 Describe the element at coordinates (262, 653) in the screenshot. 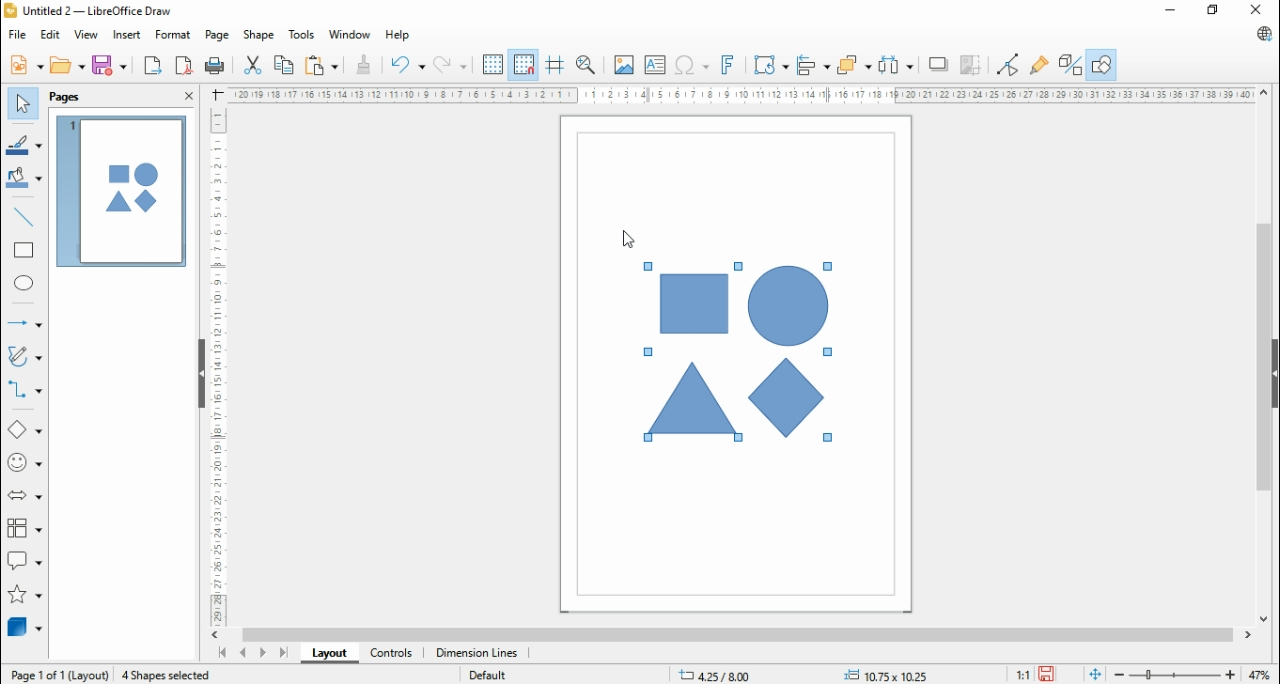

I see `next page` at that location.